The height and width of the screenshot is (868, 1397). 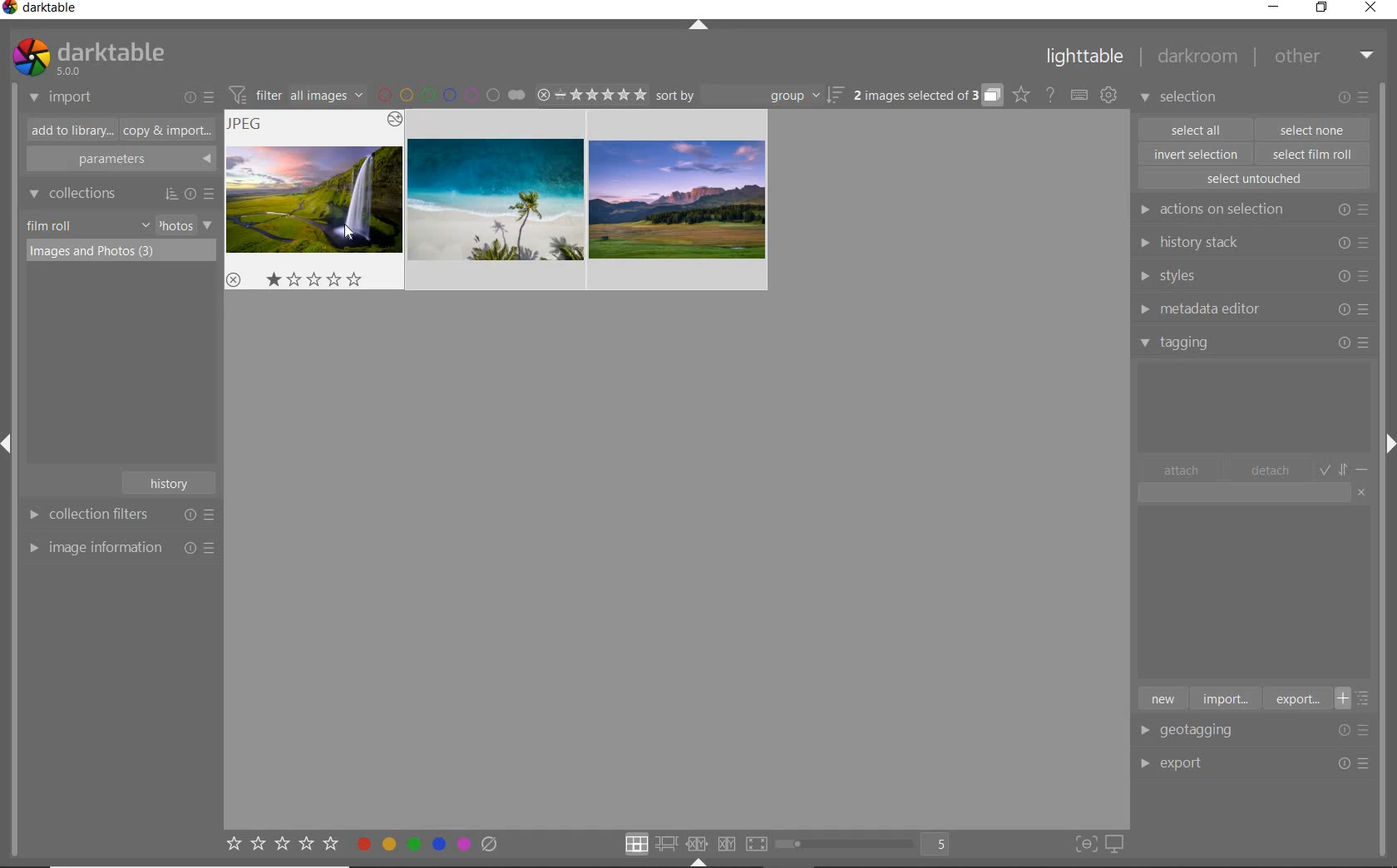 I want to click on filter by image color label, so click(x=451, y=94).